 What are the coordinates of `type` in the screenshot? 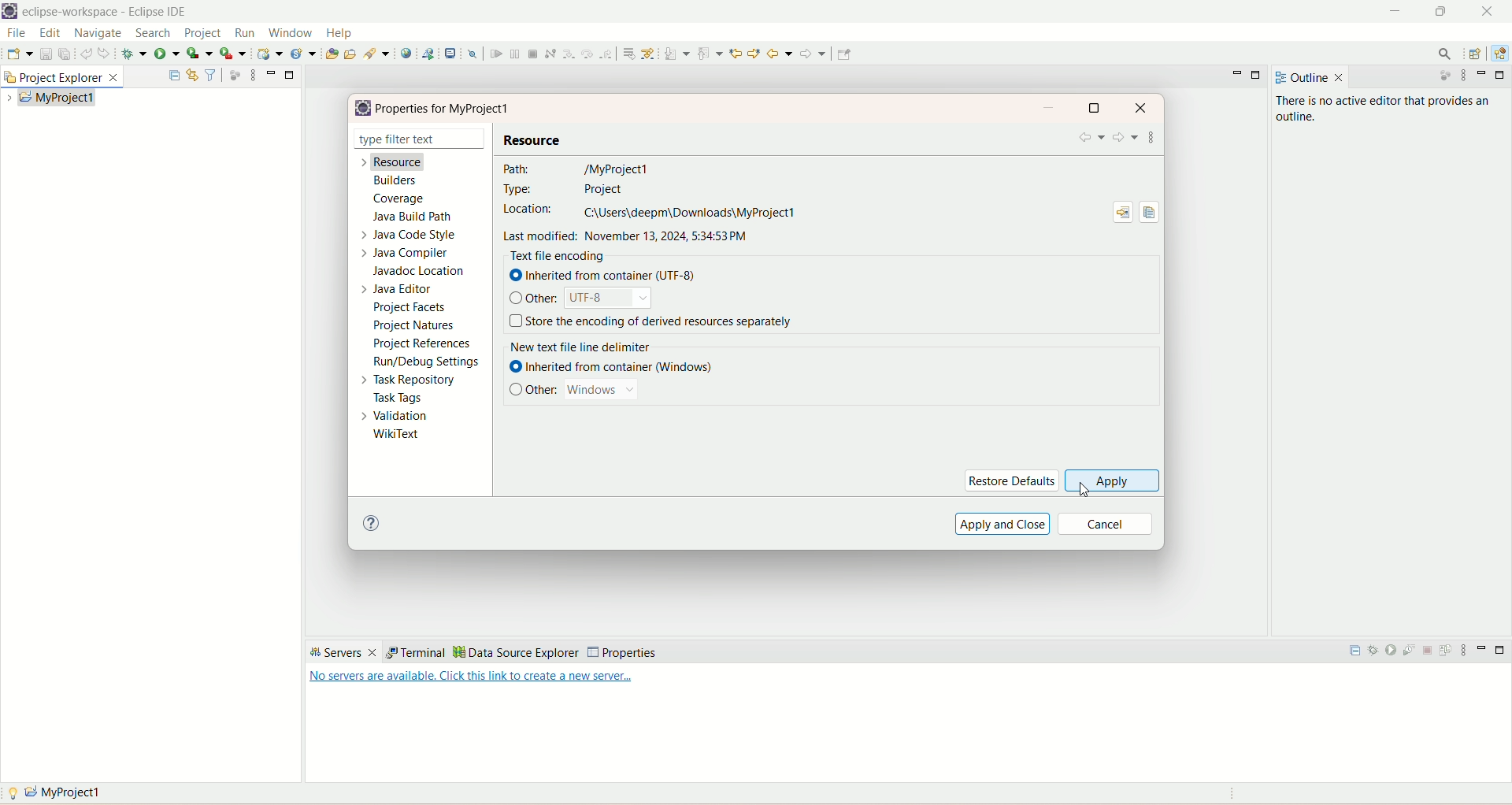 It's located at (566, 189).